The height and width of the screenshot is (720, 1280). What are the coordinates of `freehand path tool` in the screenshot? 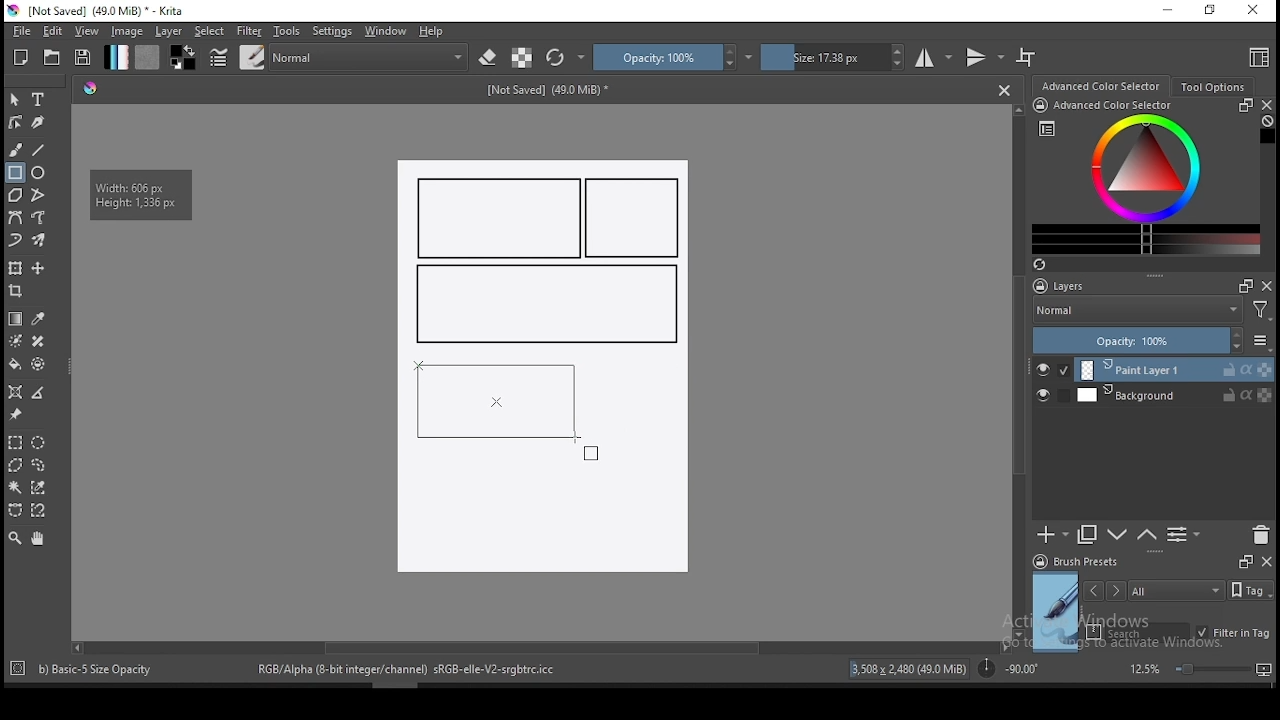 It's located at (40, 218).